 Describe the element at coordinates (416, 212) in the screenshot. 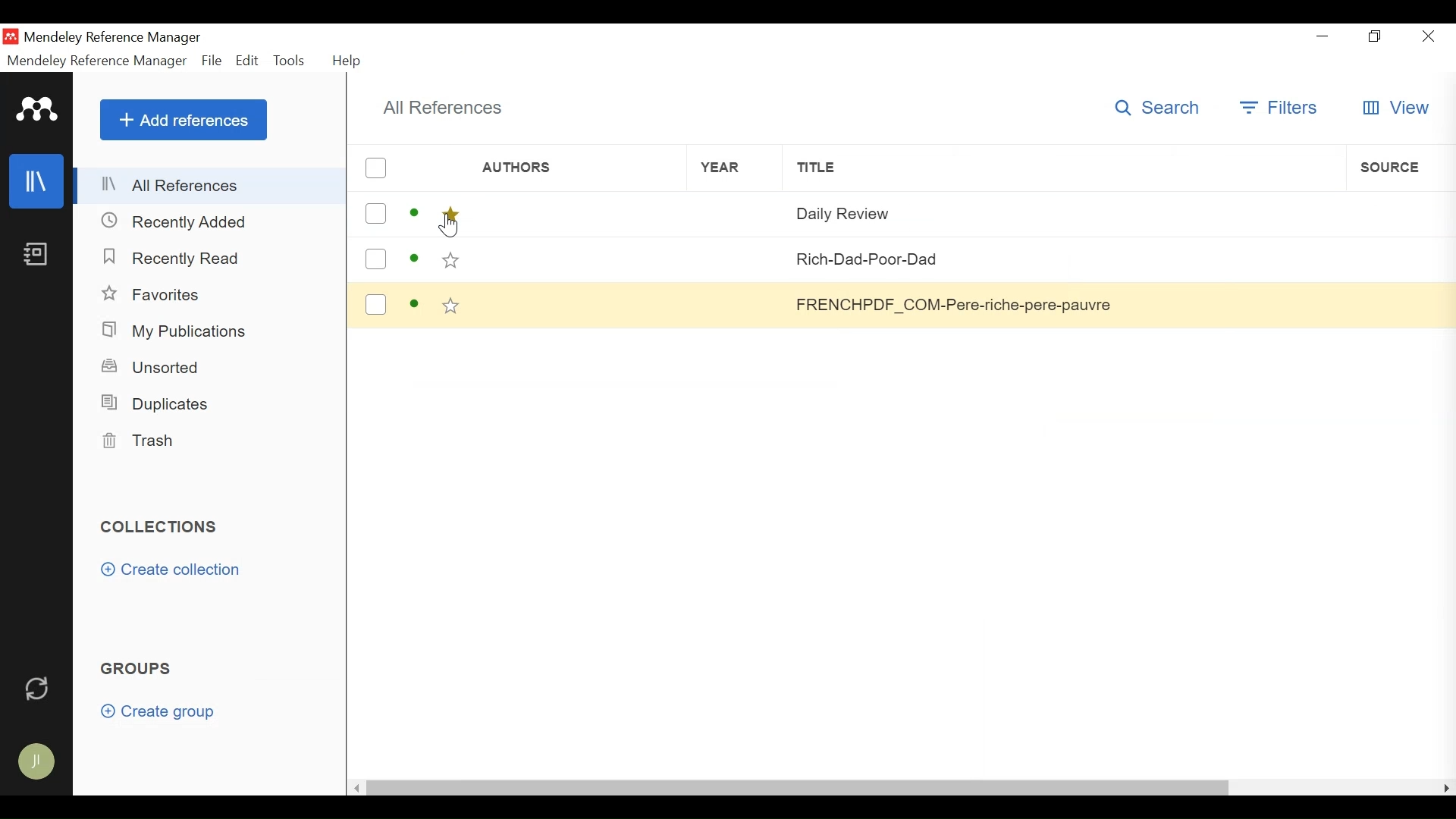

I see `Unread` at that location.